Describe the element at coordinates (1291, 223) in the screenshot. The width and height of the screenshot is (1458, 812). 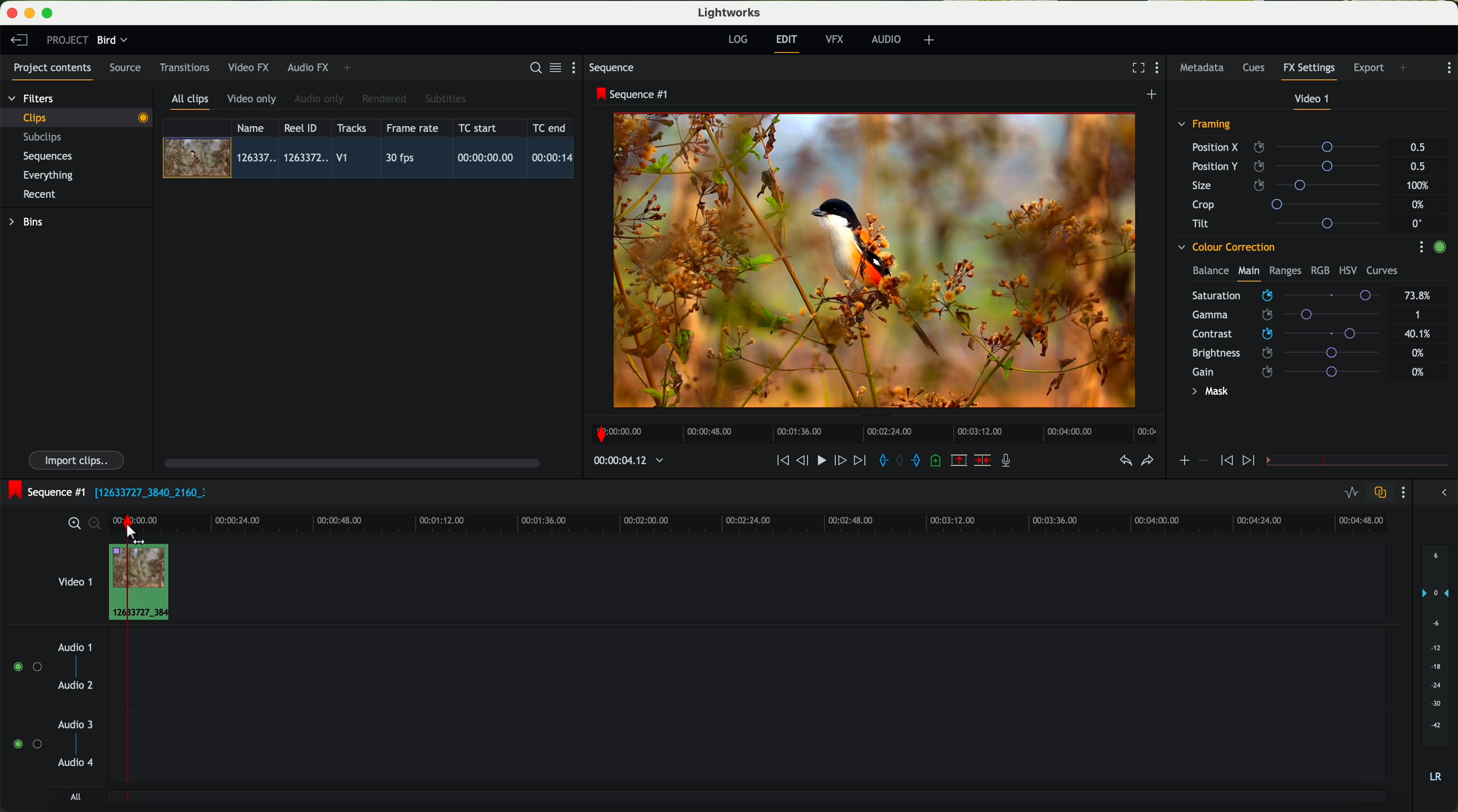
I see `tilt` at that location.